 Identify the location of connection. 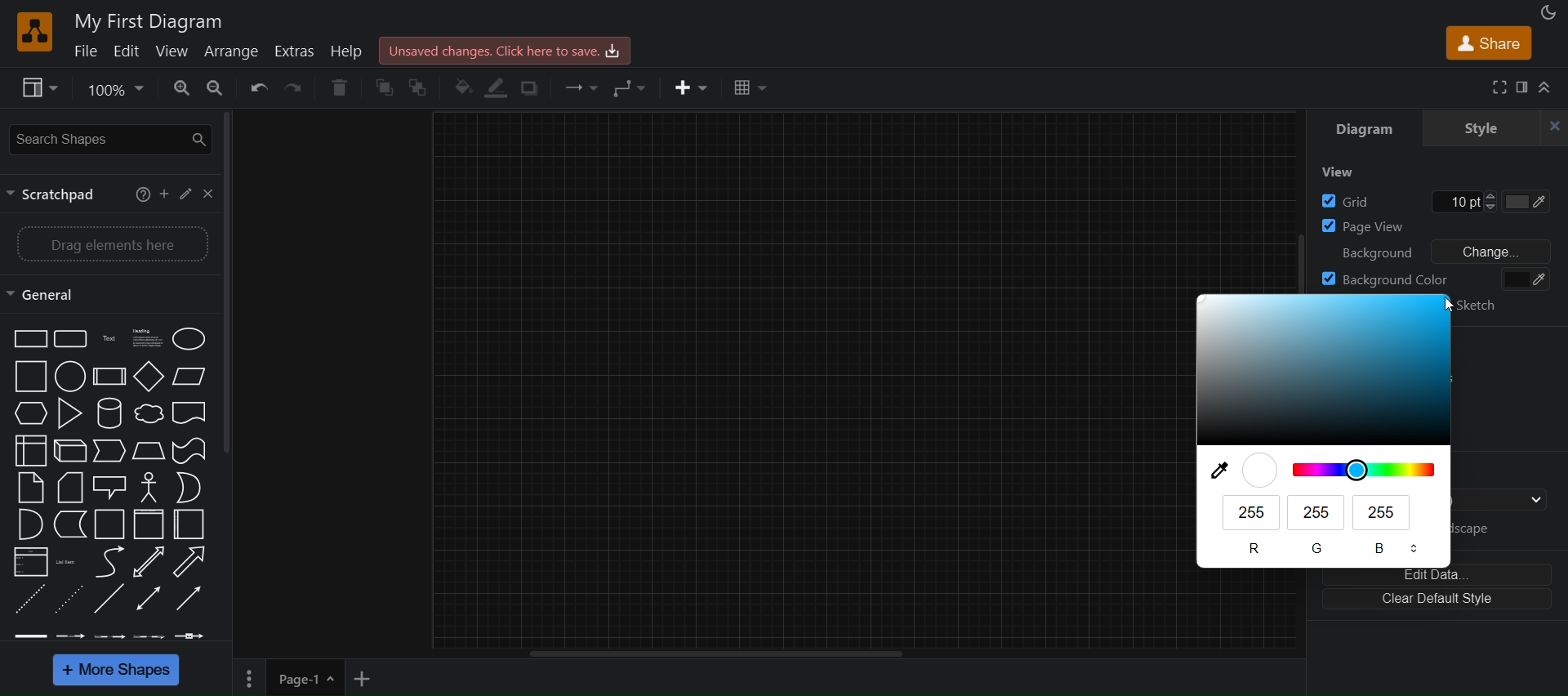
(581, 88).